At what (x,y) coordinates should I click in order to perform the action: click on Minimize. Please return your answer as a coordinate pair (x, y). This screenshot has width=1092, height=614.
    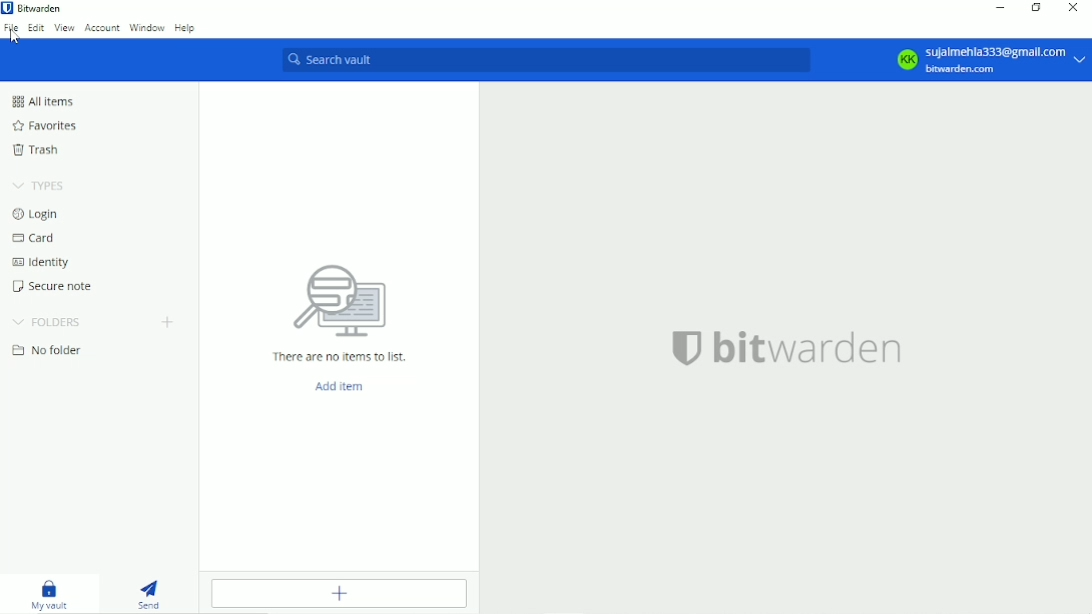
    Looking at the image, I should click on (1001, 7).